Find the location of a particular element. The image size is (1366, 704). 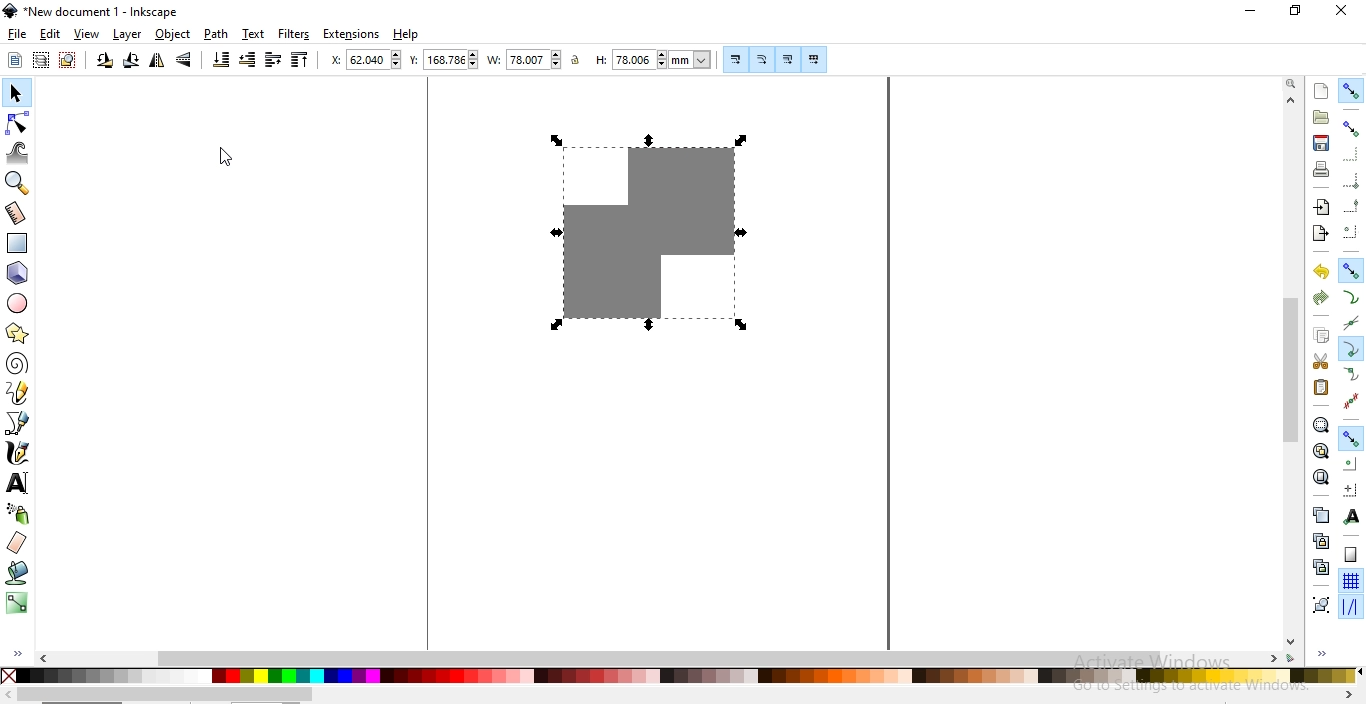

zoom is located at coordinates (1291, 84).